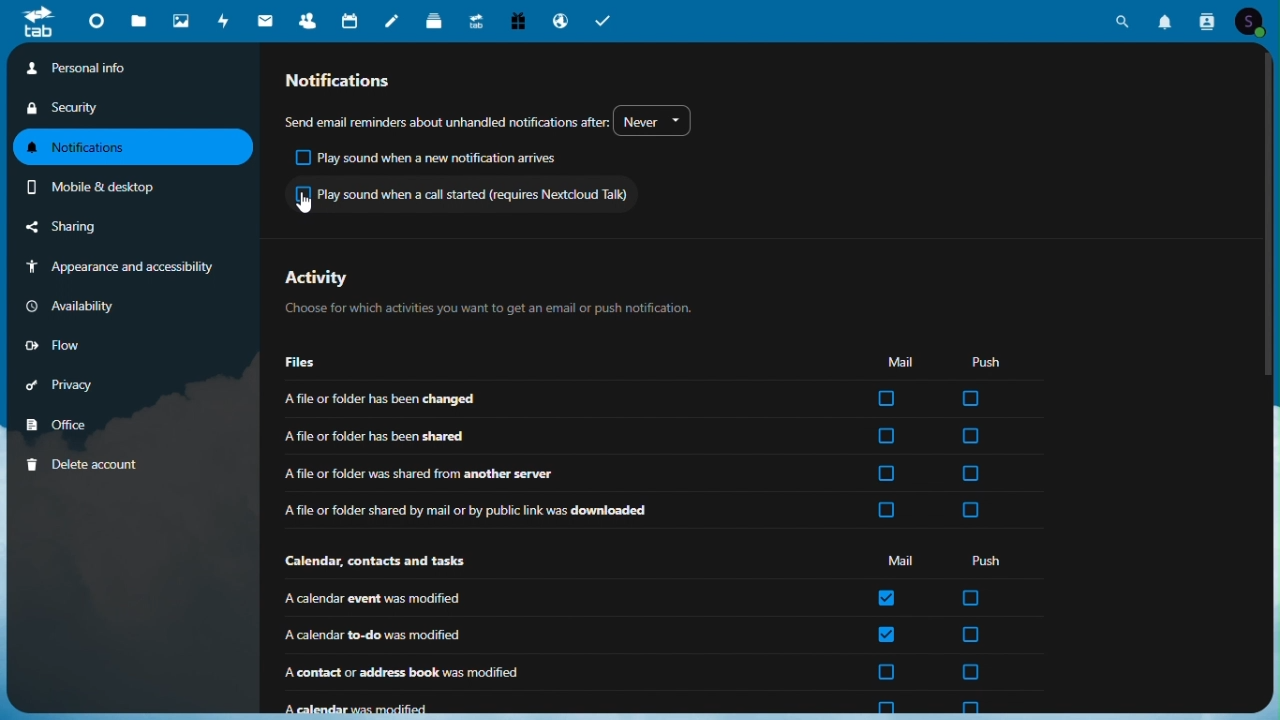  I want to click on Calendar event was modified, so click(550, 599).